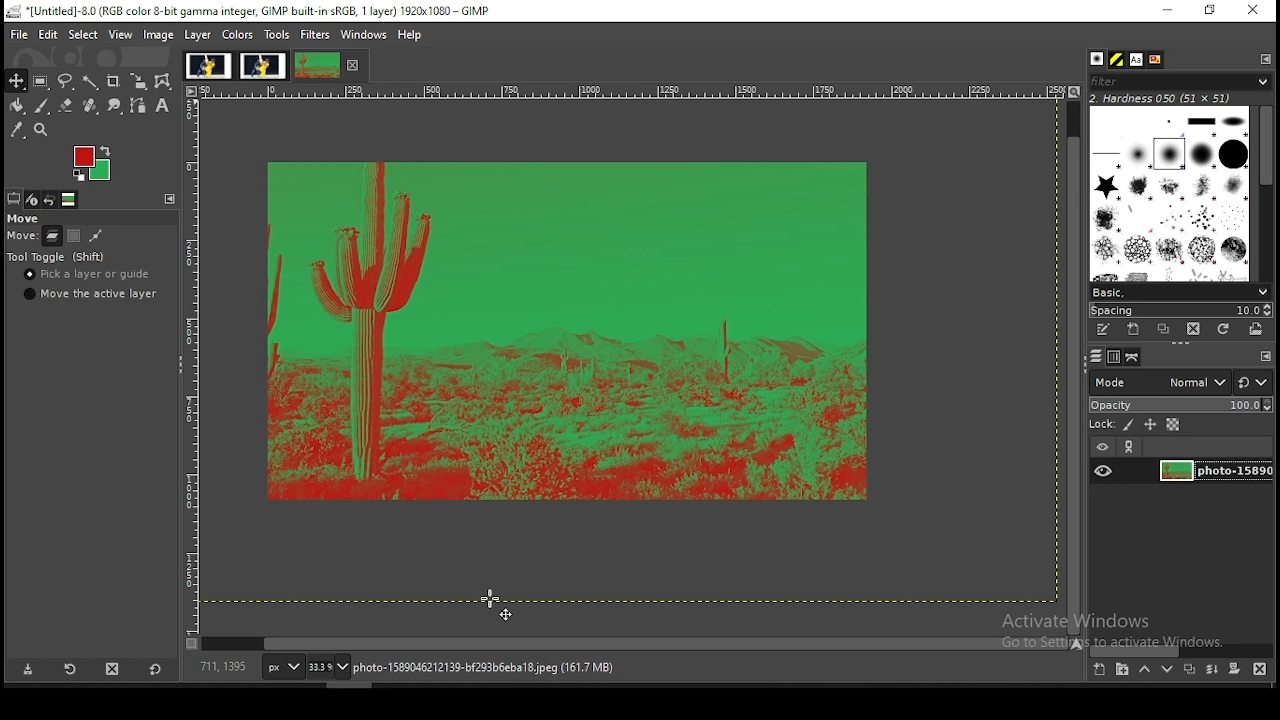 Image resolution: width=1280 pixels, height=720 pixels. I want to click on layers, so click(1096, 357).